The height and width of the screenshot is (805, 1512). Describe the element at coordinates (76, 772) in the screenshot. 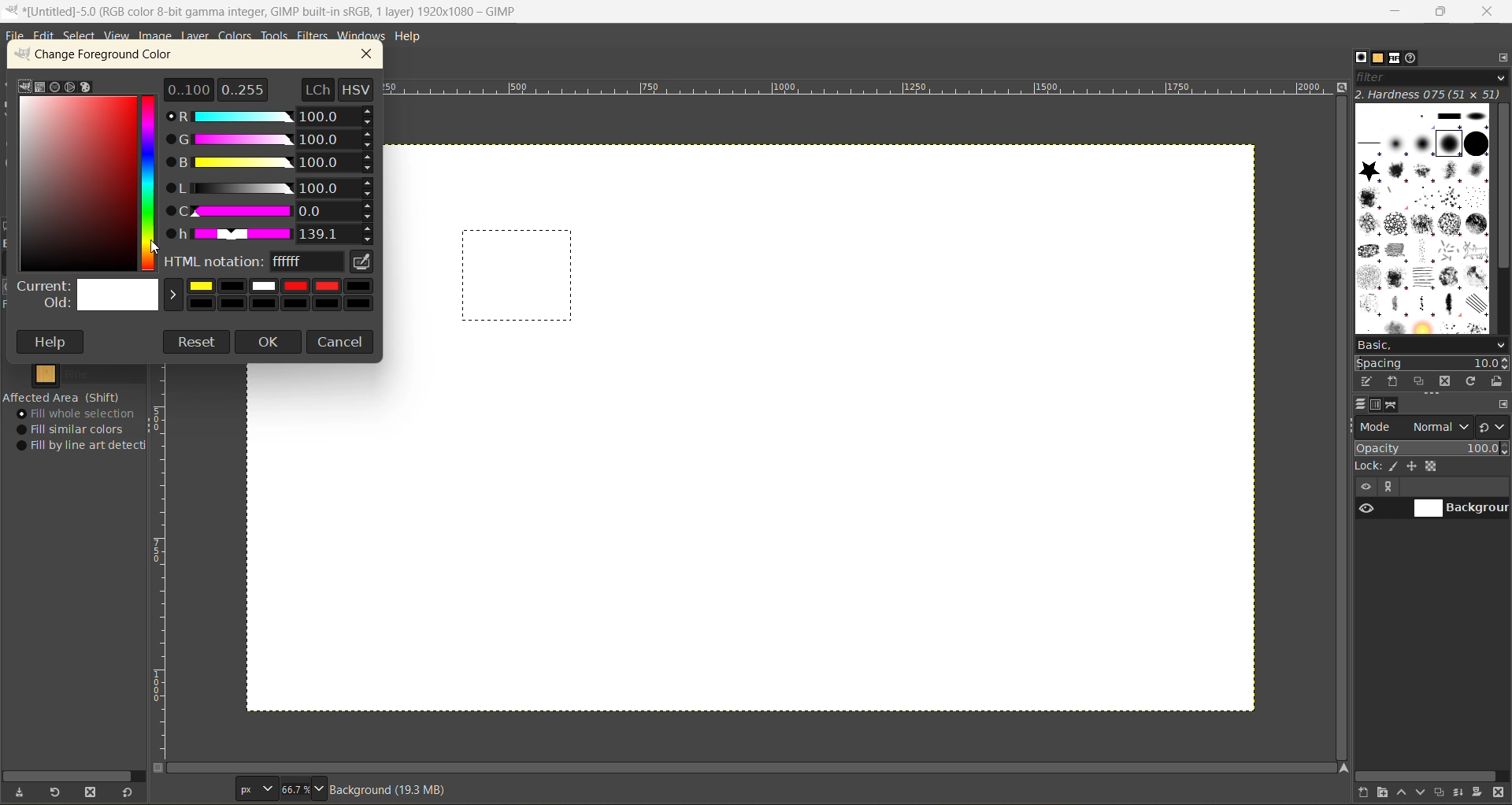

I see `horizontal scroll bar` at that location.